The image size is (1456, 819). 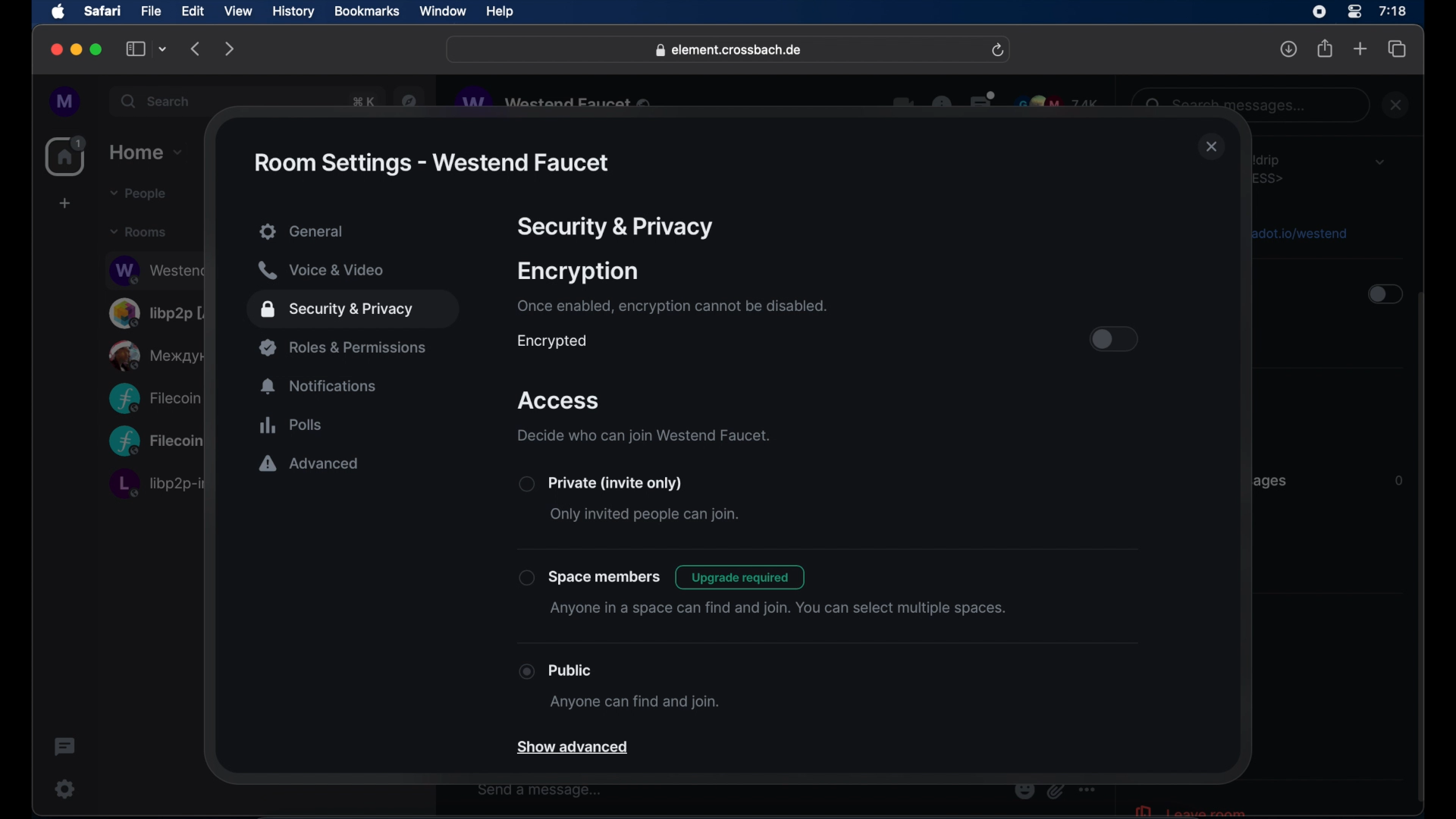 What do you see at coordinates (158, 355) in the screenshot?
I see `obscure` at bounding box center [158, 355].